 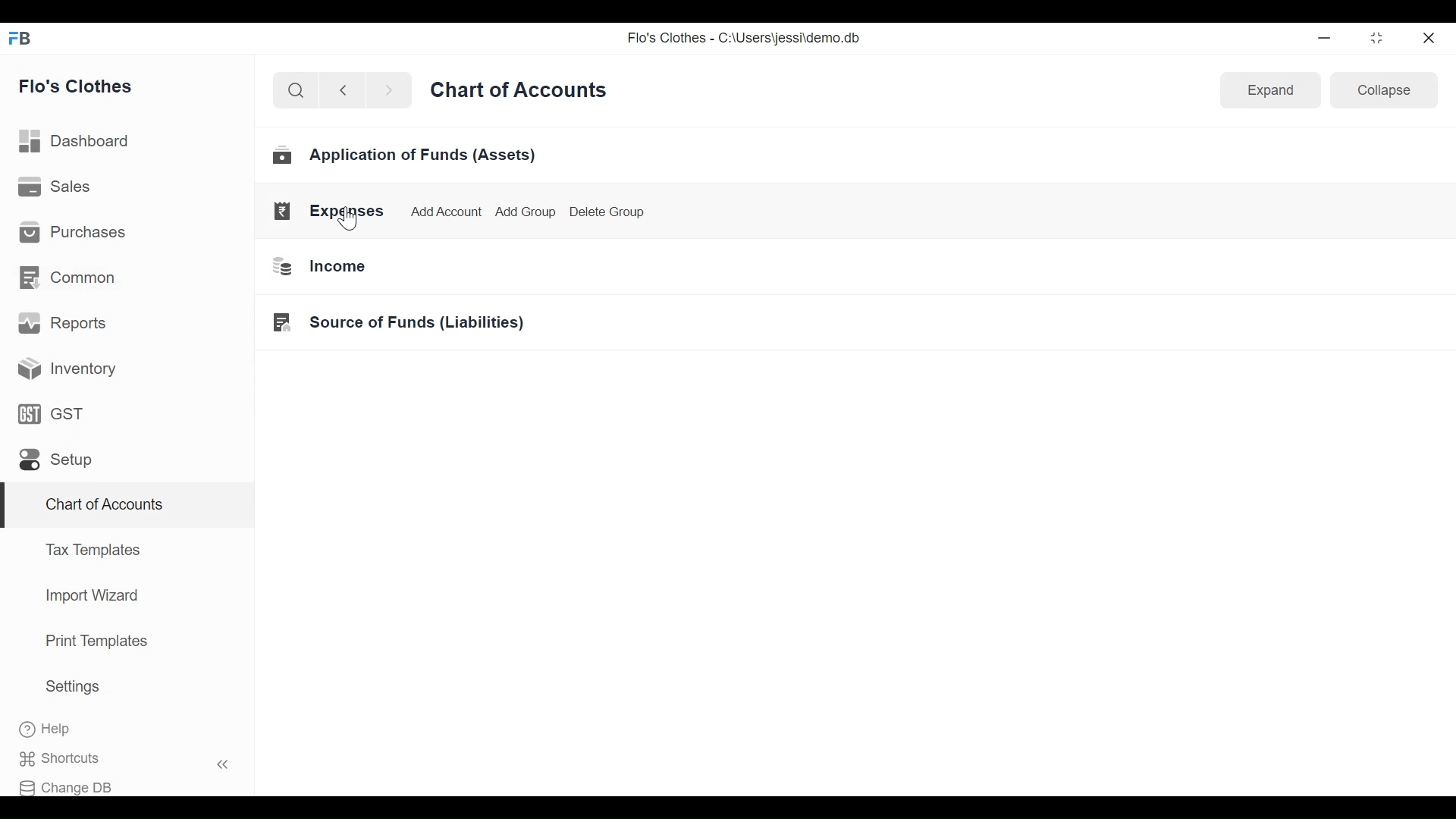 I want to click on Inventory, so click(x=62, y=368).